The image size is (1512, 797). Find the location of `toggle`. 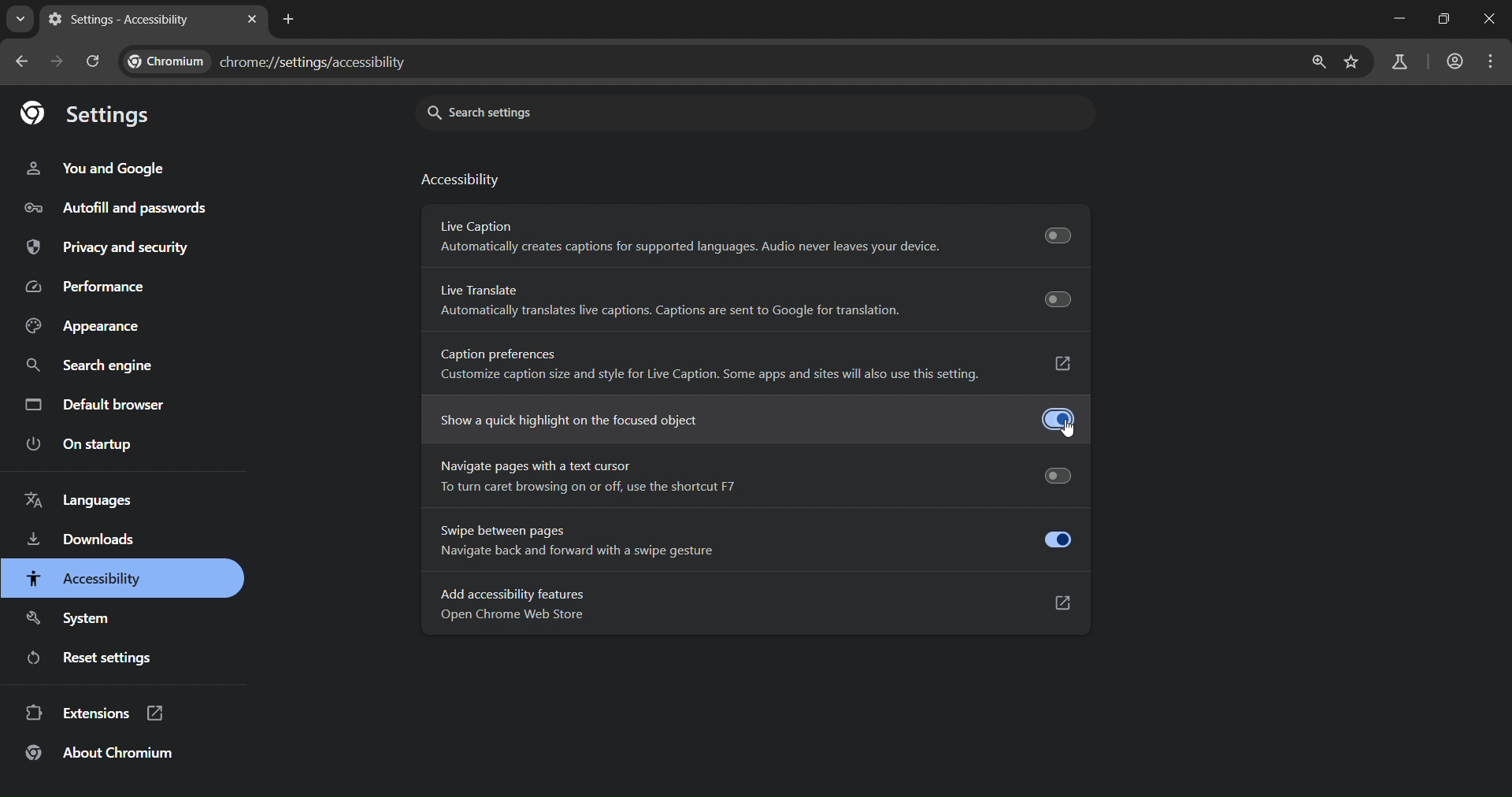

toggle is located at coordinates (1055, 236).